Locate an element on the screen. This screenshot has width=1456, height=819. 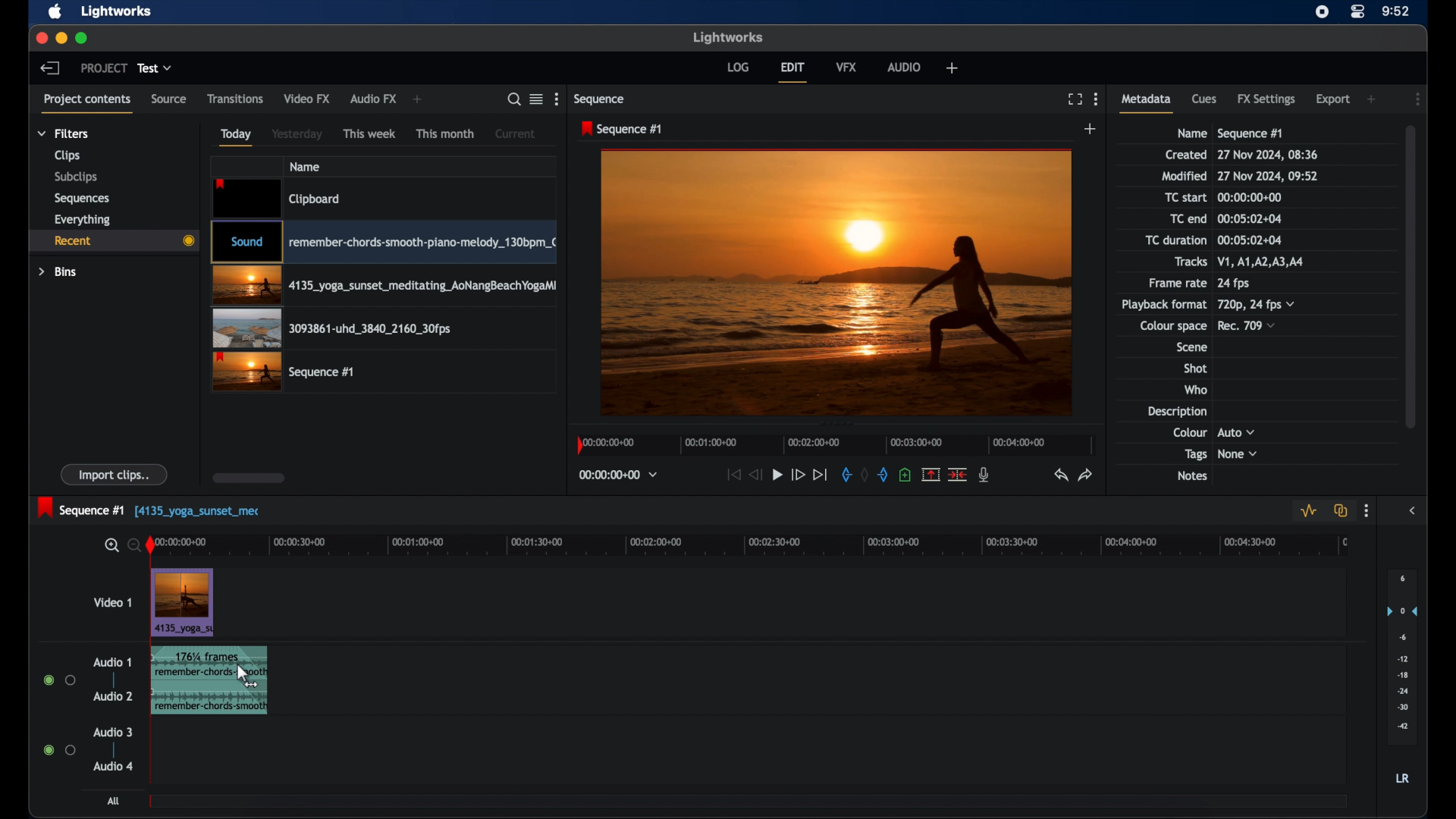
shot is located at coordinates (1196, 368).